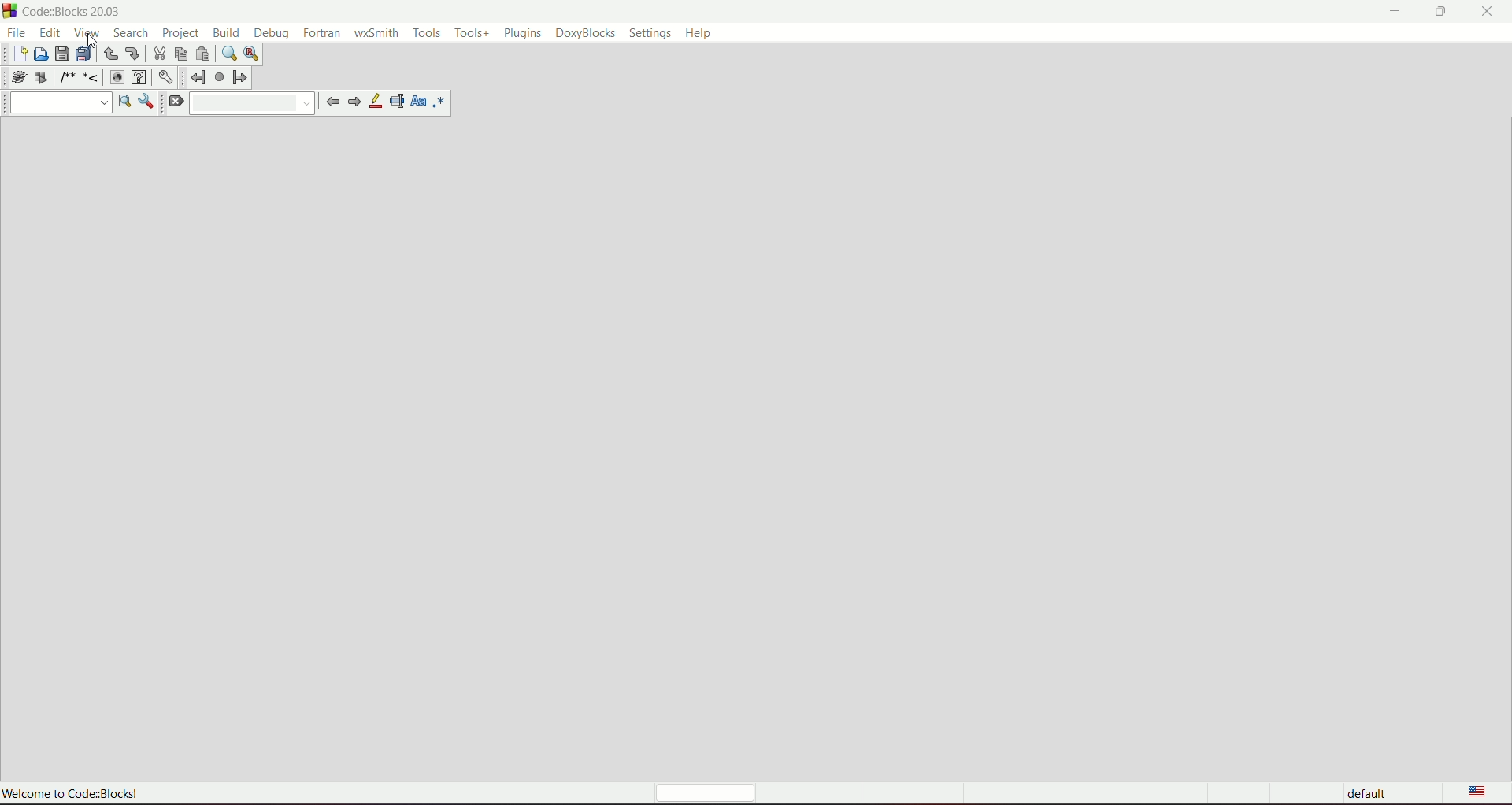  I want to click on Cursor, so click(92, 41).